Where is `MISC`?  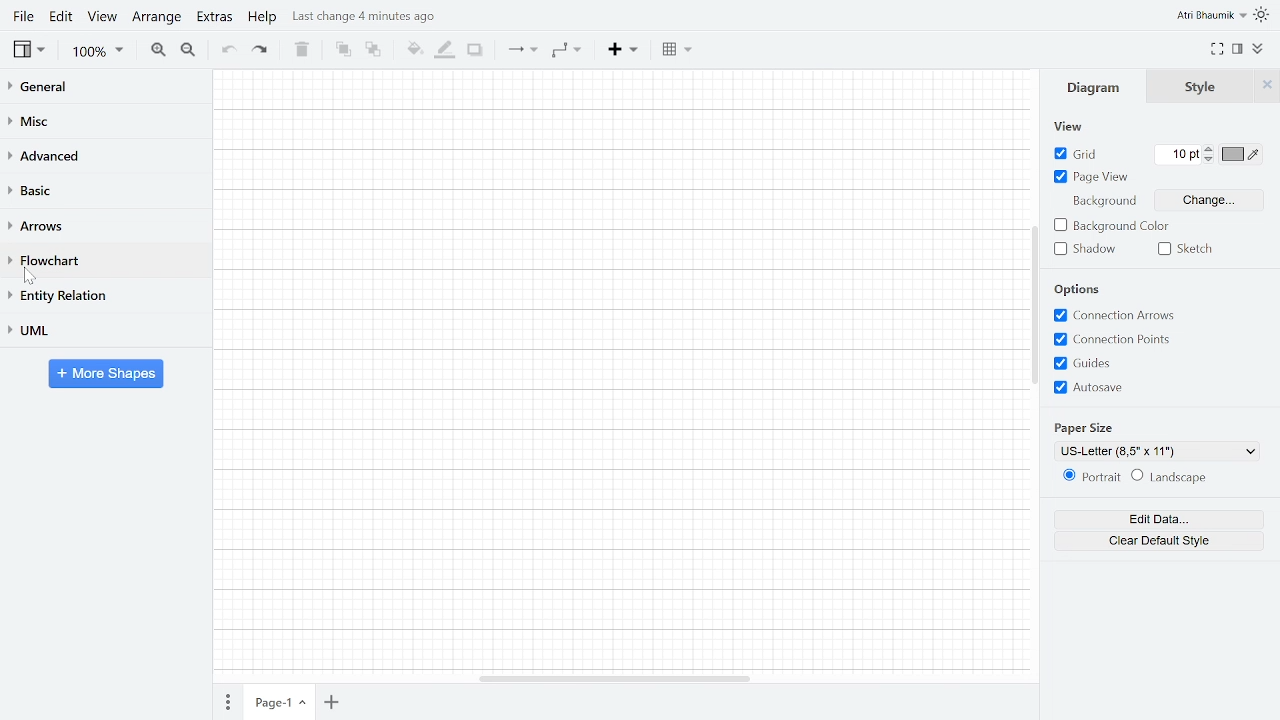 MISC is located at coordinates (98, 120).